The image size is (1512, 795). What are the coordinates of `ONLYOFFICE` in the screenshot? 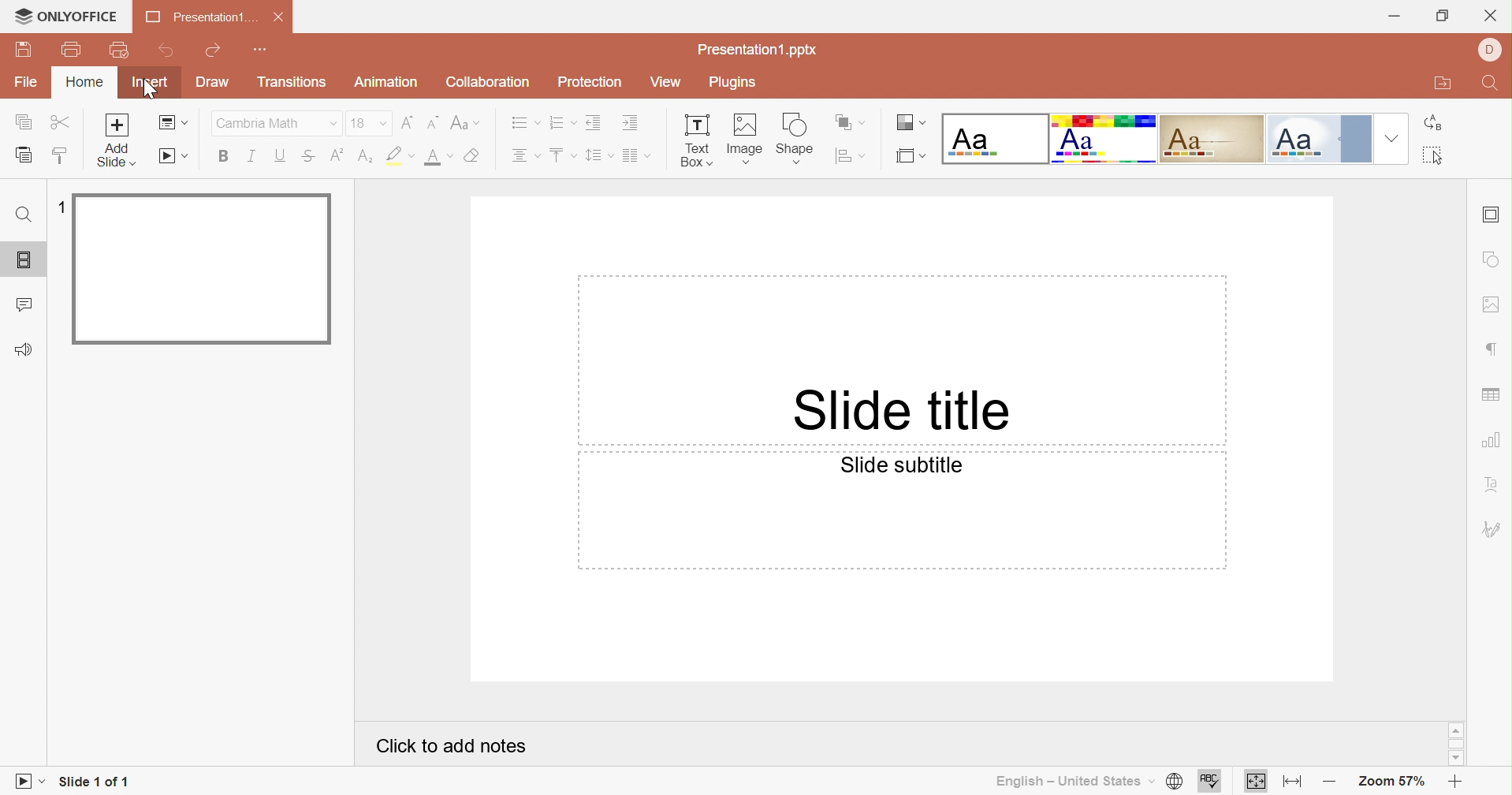 It's located at (65, 18).